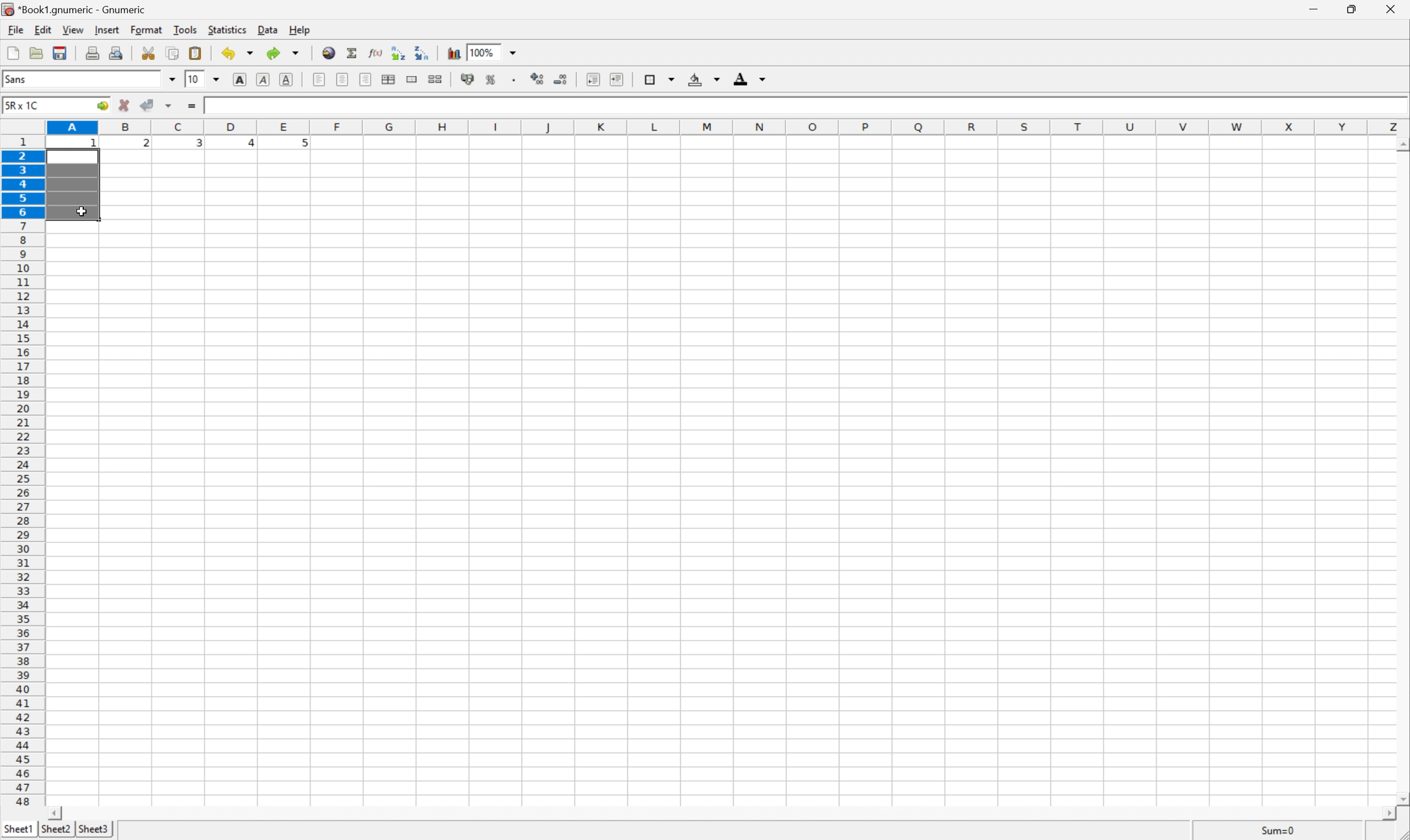  What do you see at coordinates (103, 106) in the screenshot?
I see `go to` at bounding box center [103, 106].